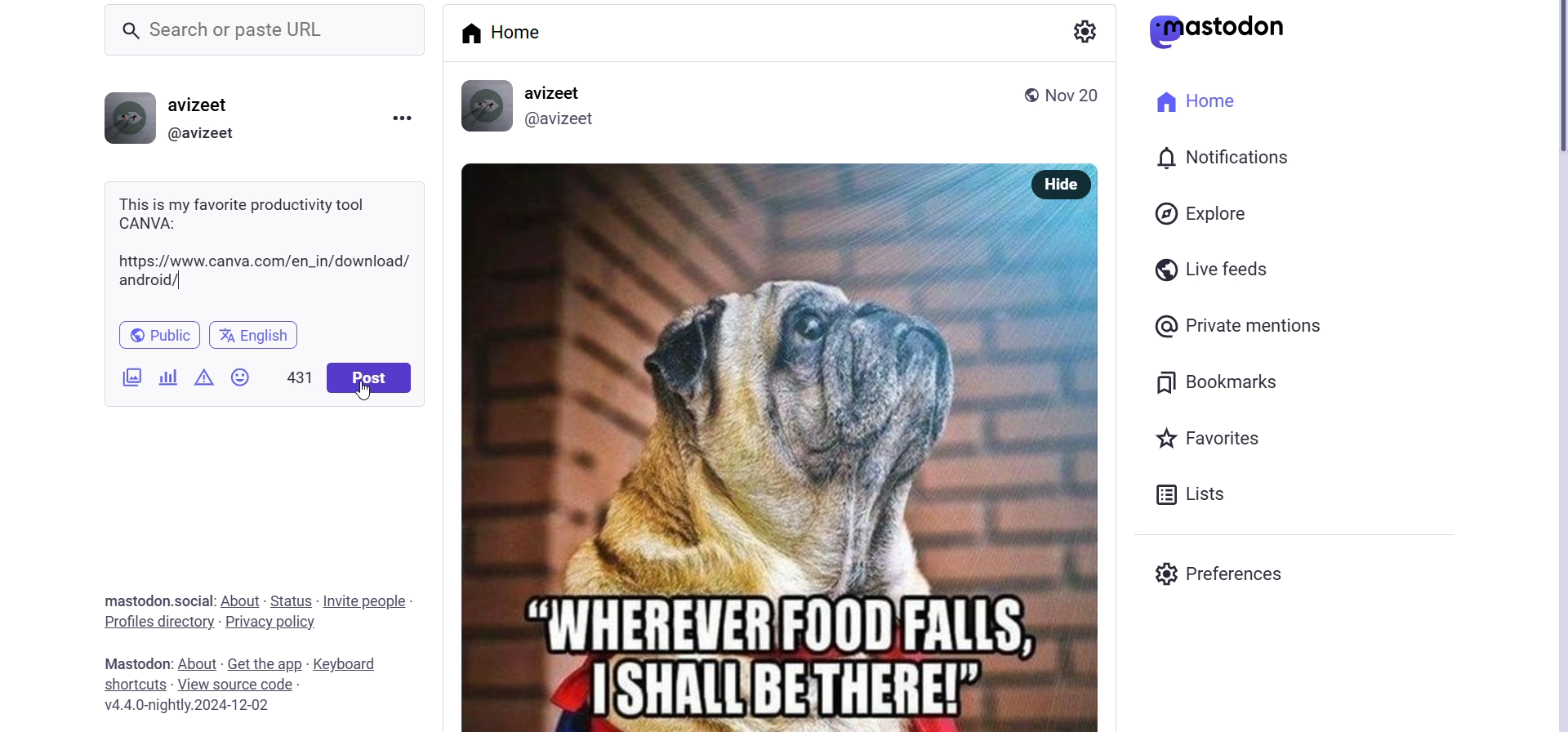  I want to click on lists, so click(1220, 492).